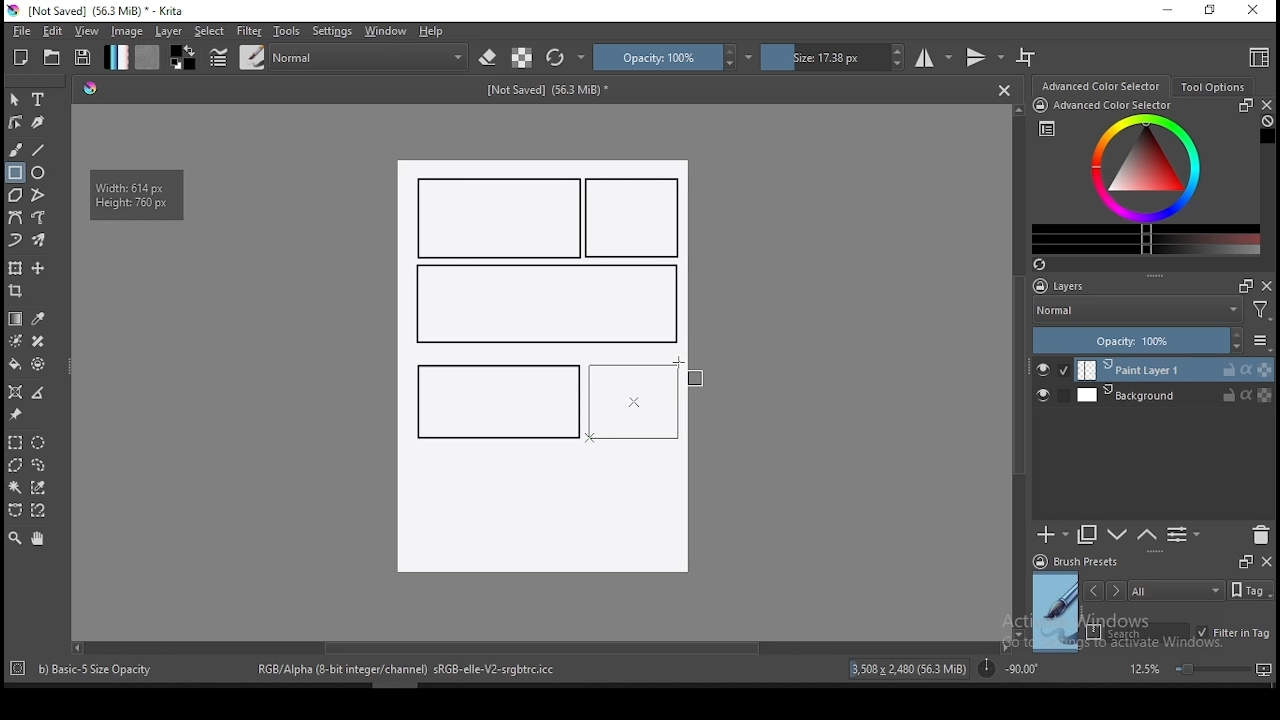 The image size is (1280, 720). What do you see at coordinates (1245, 561) in the screenshot?
I see `Frames` at bounding box center [1245, 561].